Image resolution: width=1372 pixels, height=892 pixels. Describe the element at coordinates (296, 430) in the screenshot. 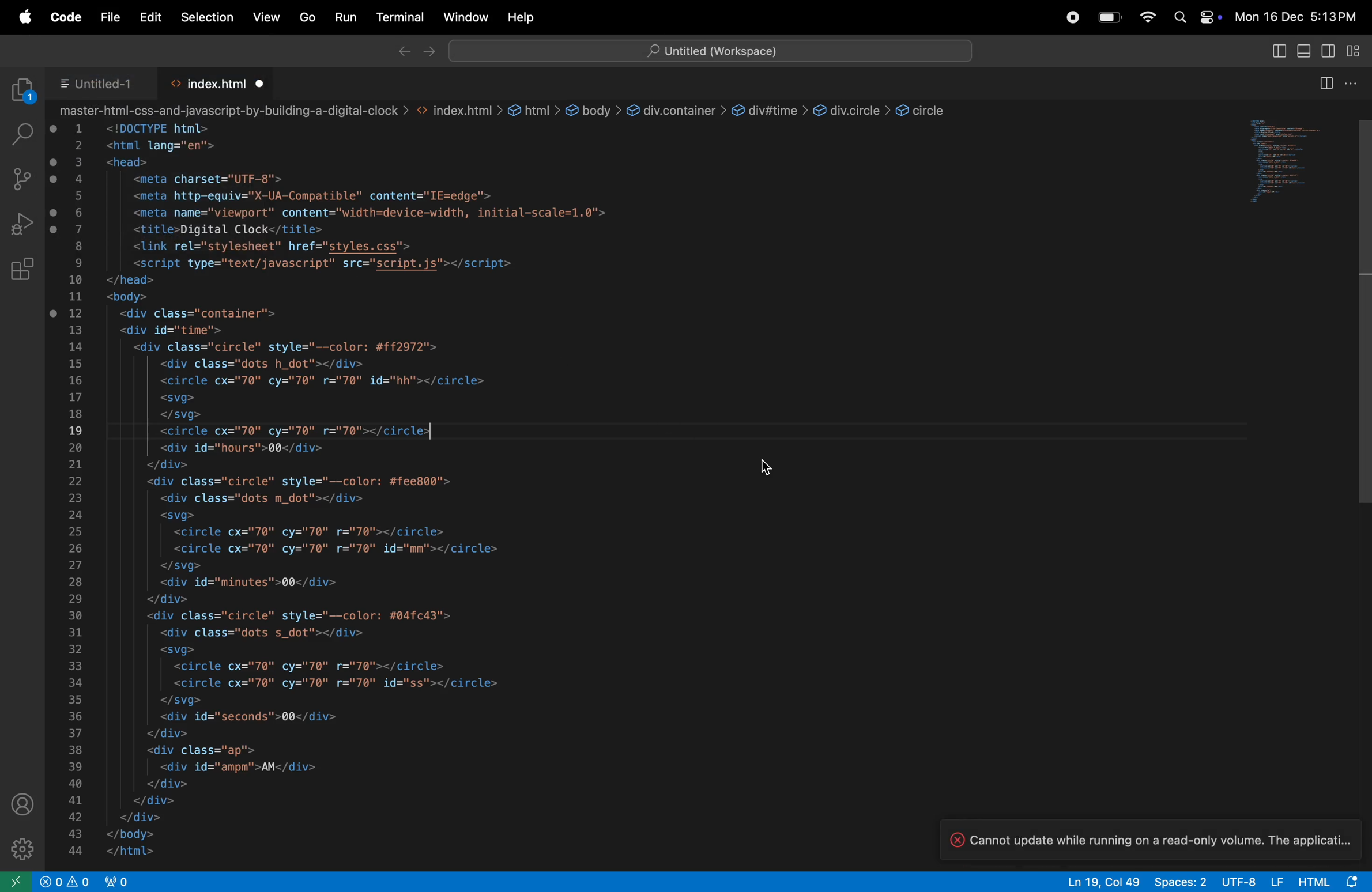

I see `| <circle cx="70" cy="70" r="70"></circle>` at that location.